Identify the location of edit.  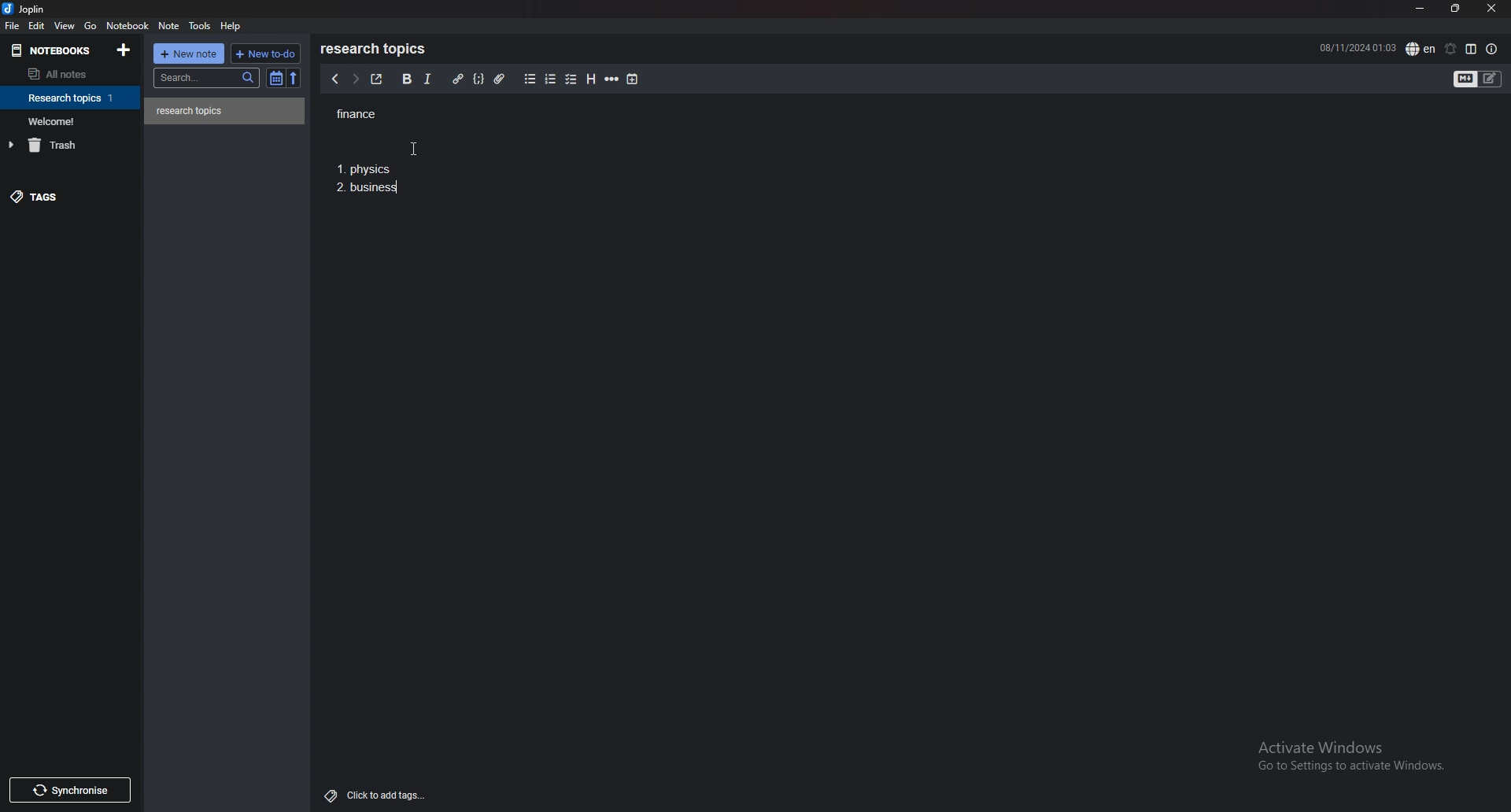
(36, 25).